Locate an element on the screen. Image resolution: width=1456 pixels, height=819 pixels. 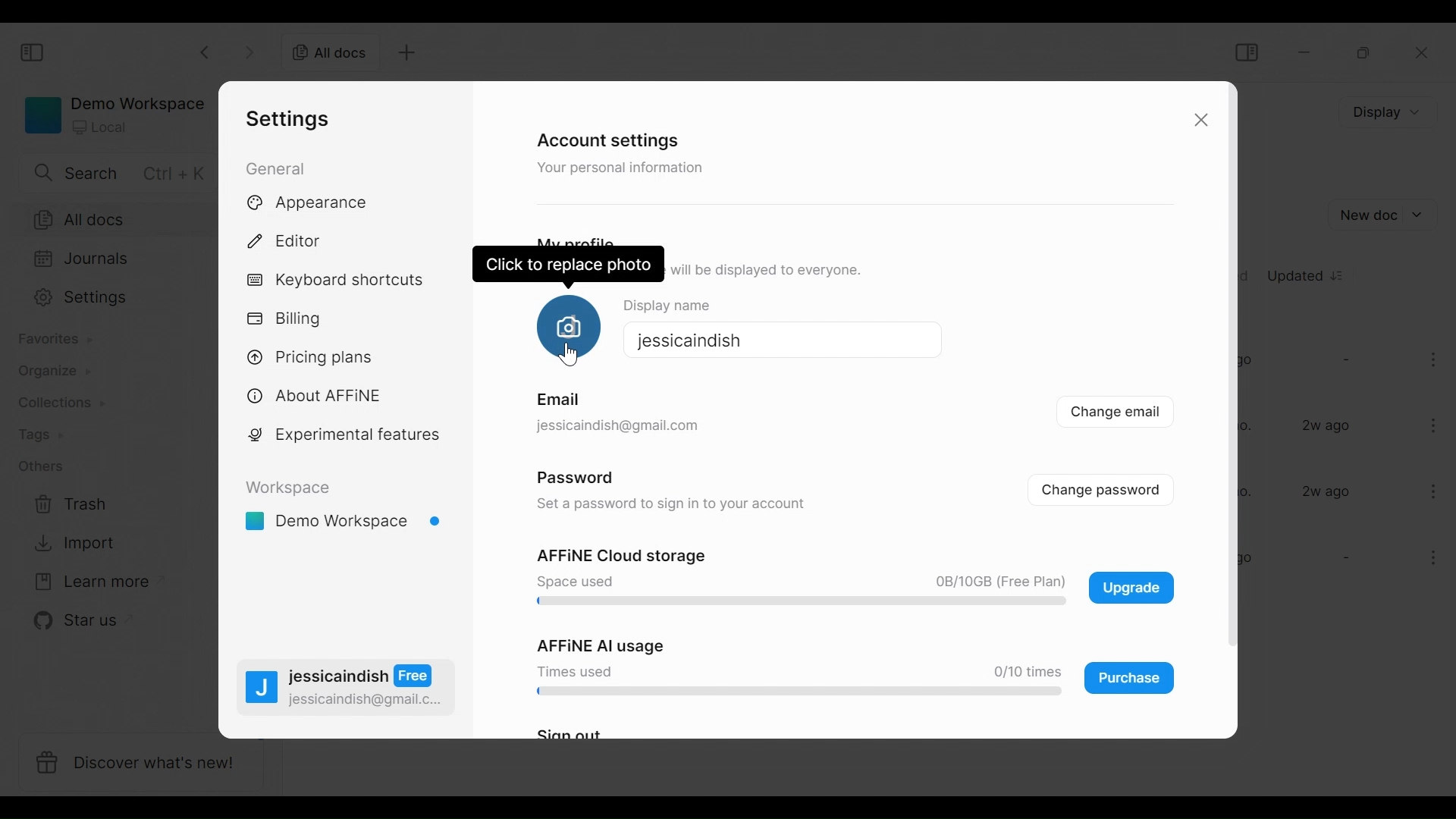
Password is located at coordinates (575, 475).